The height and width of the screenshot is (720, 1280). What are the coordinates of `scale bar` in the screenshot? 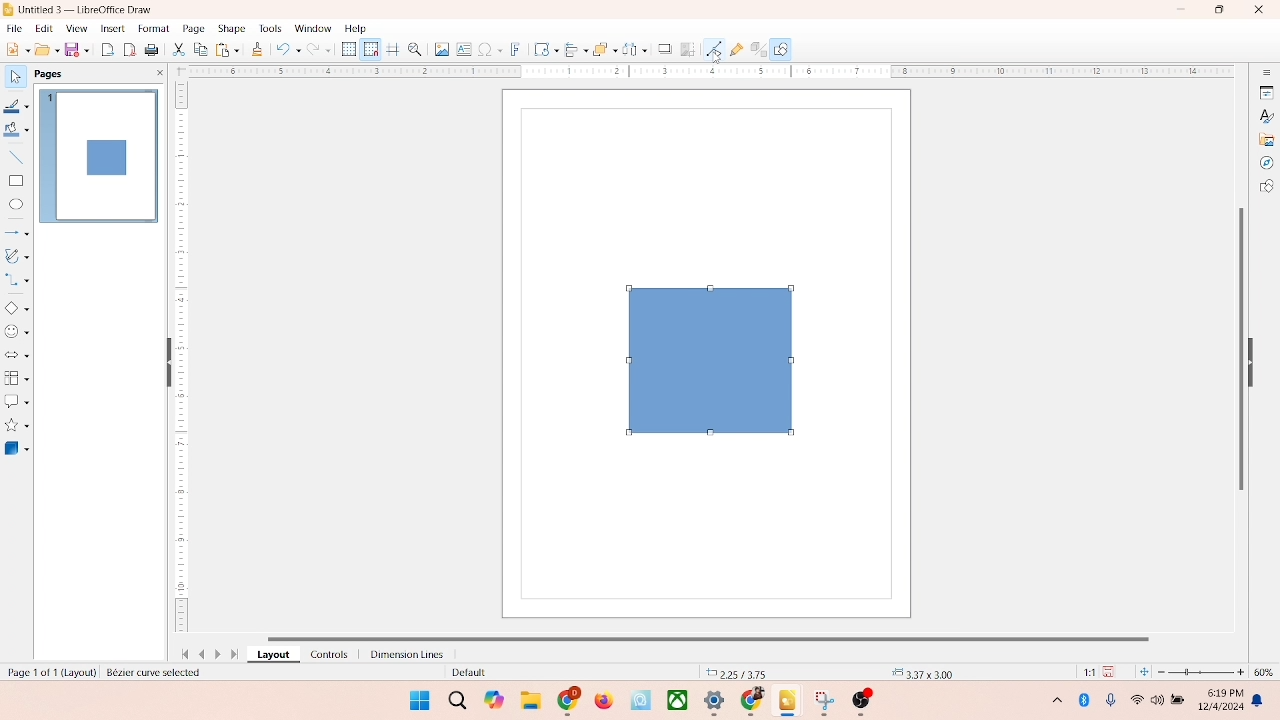 It's located at (181, 360).